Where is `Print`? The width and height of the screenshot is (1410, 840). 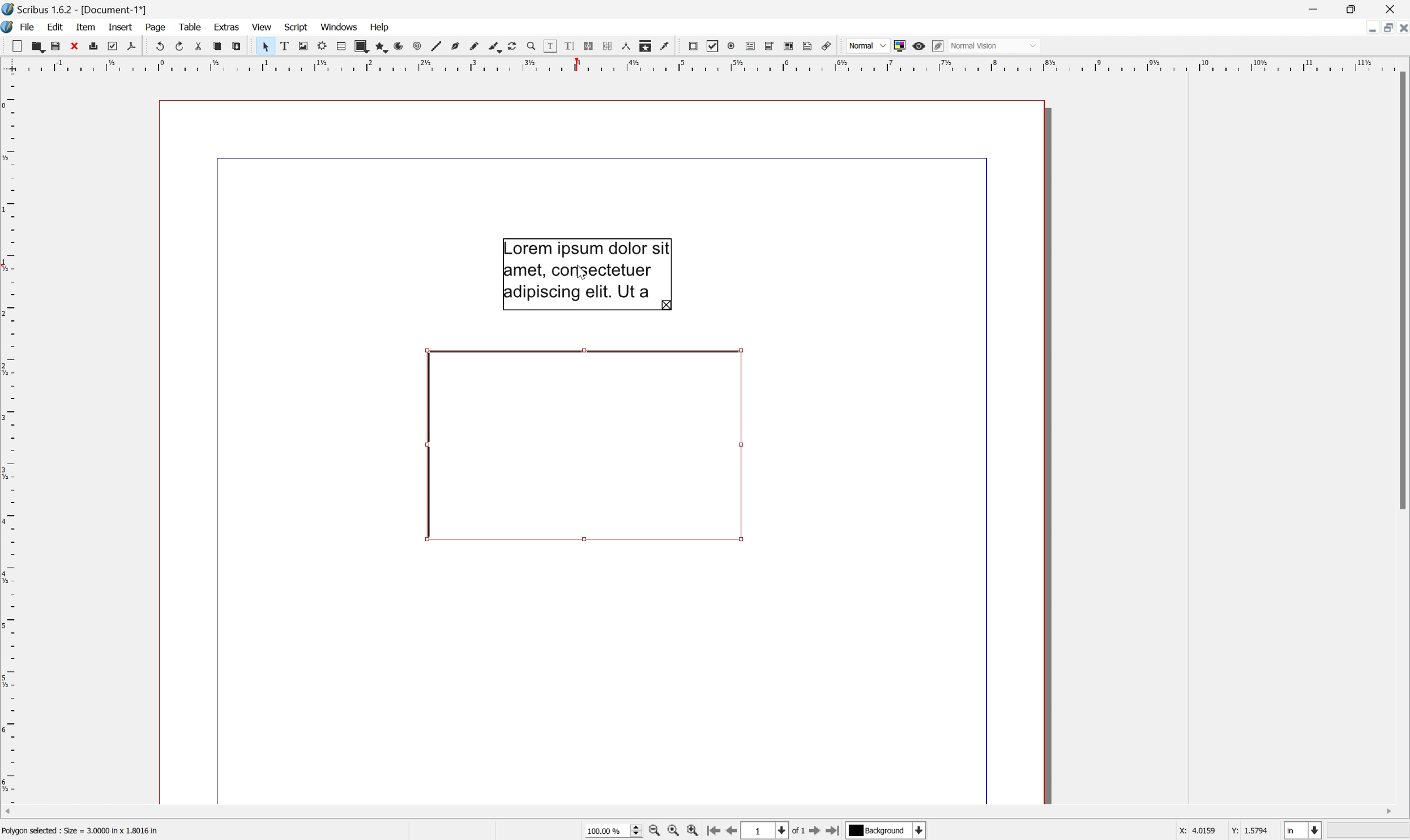 Print is located at coordinates (93, 46).